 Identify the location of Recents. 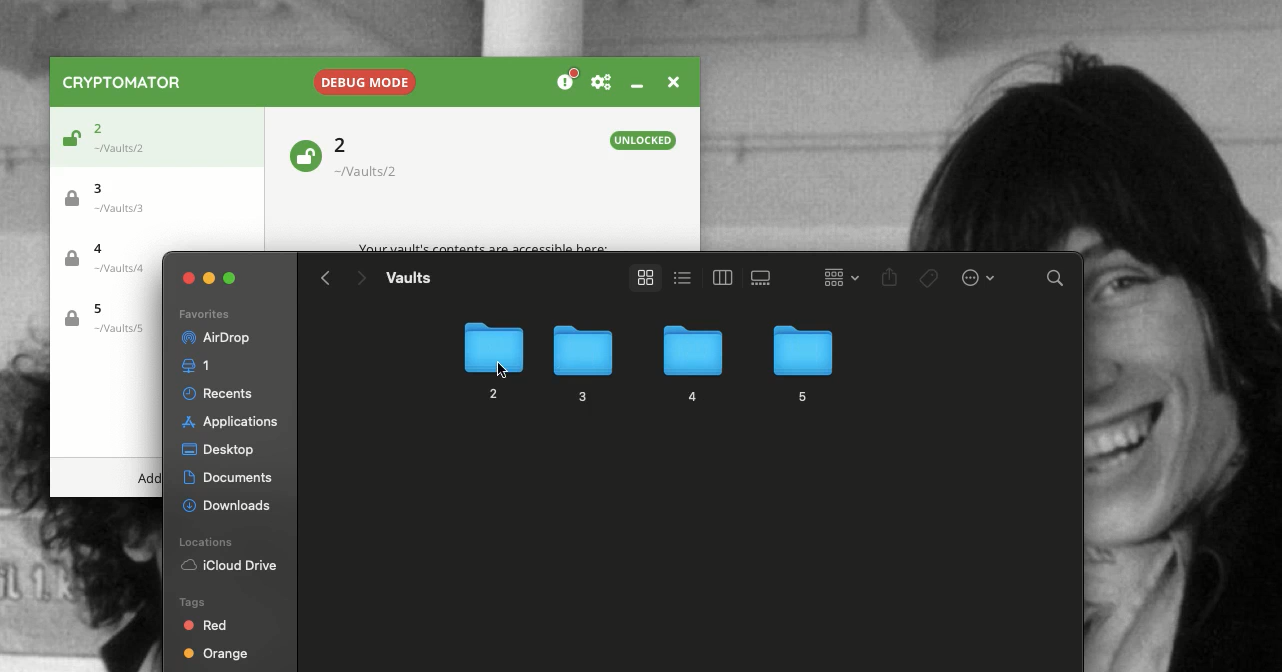
(221, 393).